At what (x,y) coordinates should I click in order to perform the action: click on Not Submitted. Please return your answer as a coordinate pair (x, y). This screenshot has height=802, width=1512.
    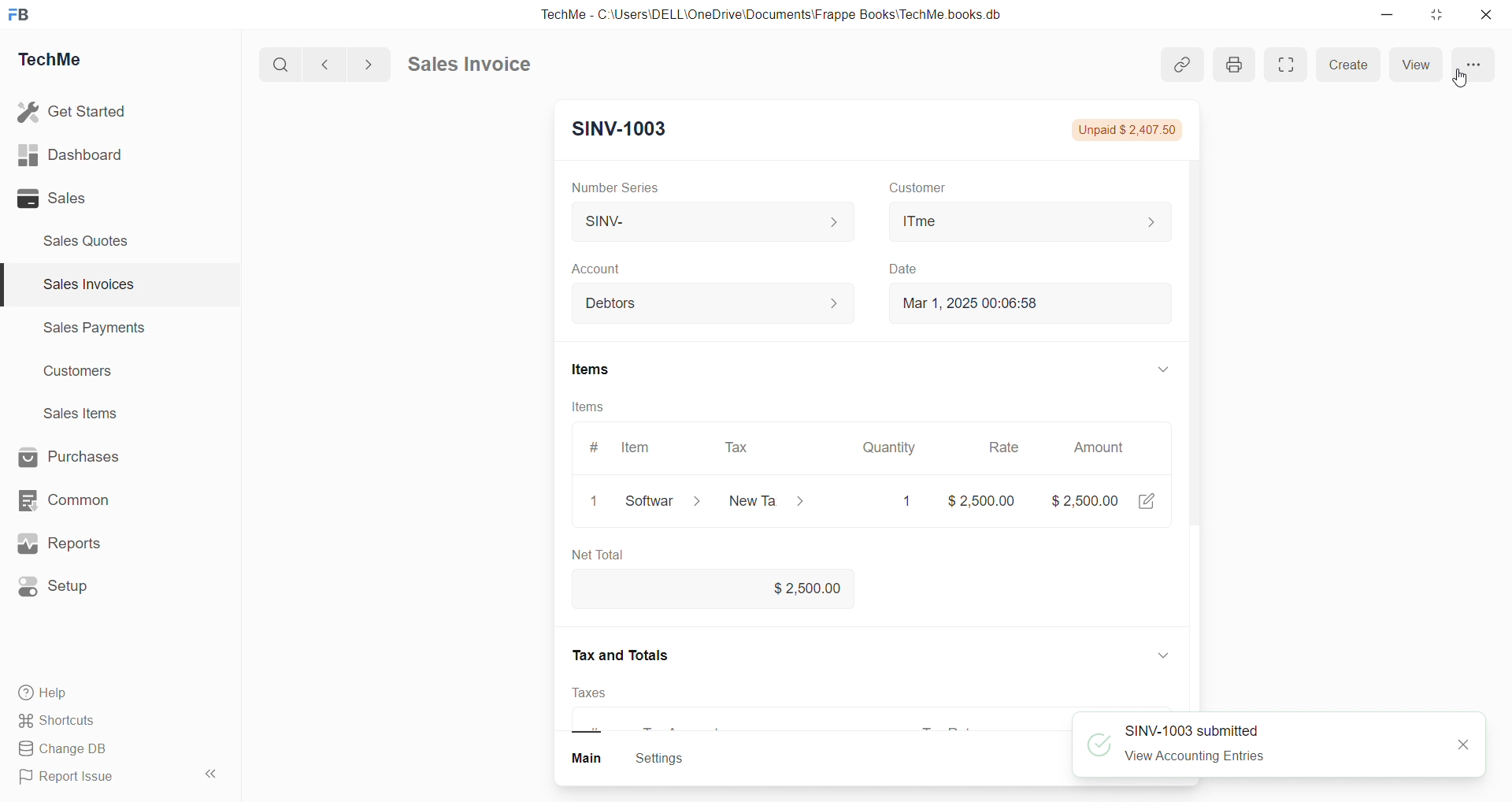
    Looking at the image, I should click on (1117, 130).